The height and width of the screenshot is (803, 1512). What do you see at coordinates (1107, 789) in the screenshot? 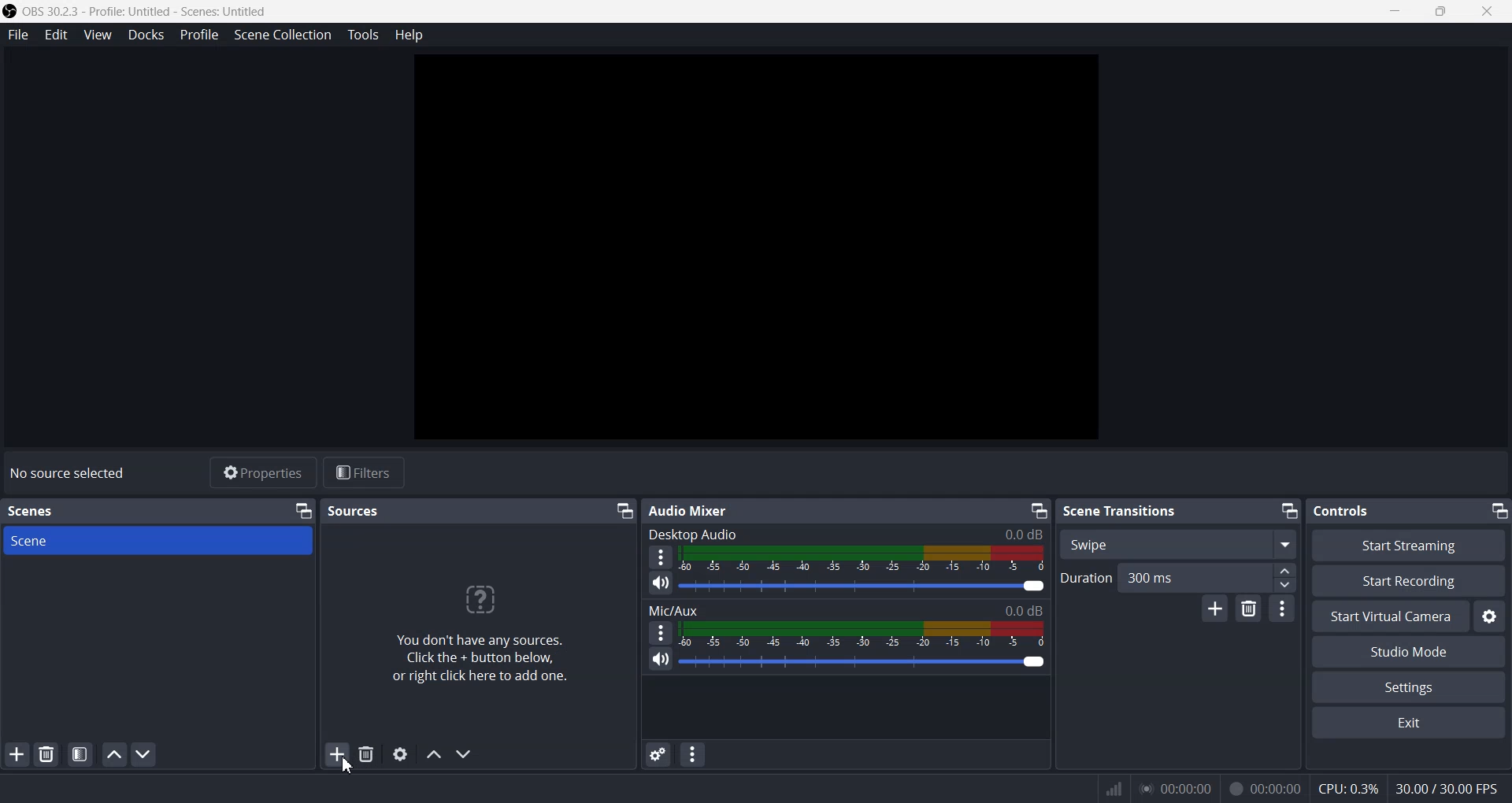
I see `Signals` at bounding box center [1107, 789].